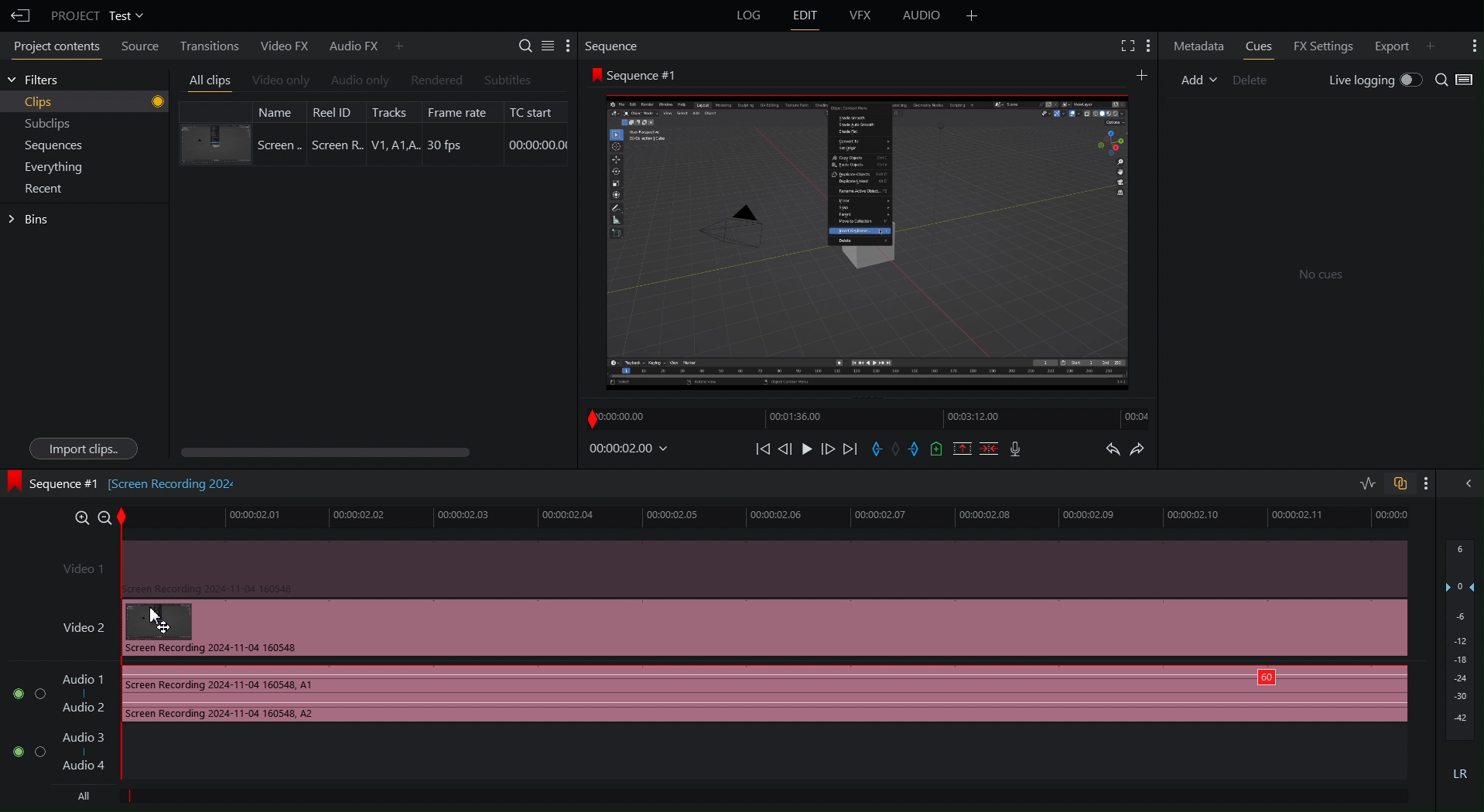 The width and height of the screenshot is (1484, 812). I want to click on Export, so click(1400, 46).